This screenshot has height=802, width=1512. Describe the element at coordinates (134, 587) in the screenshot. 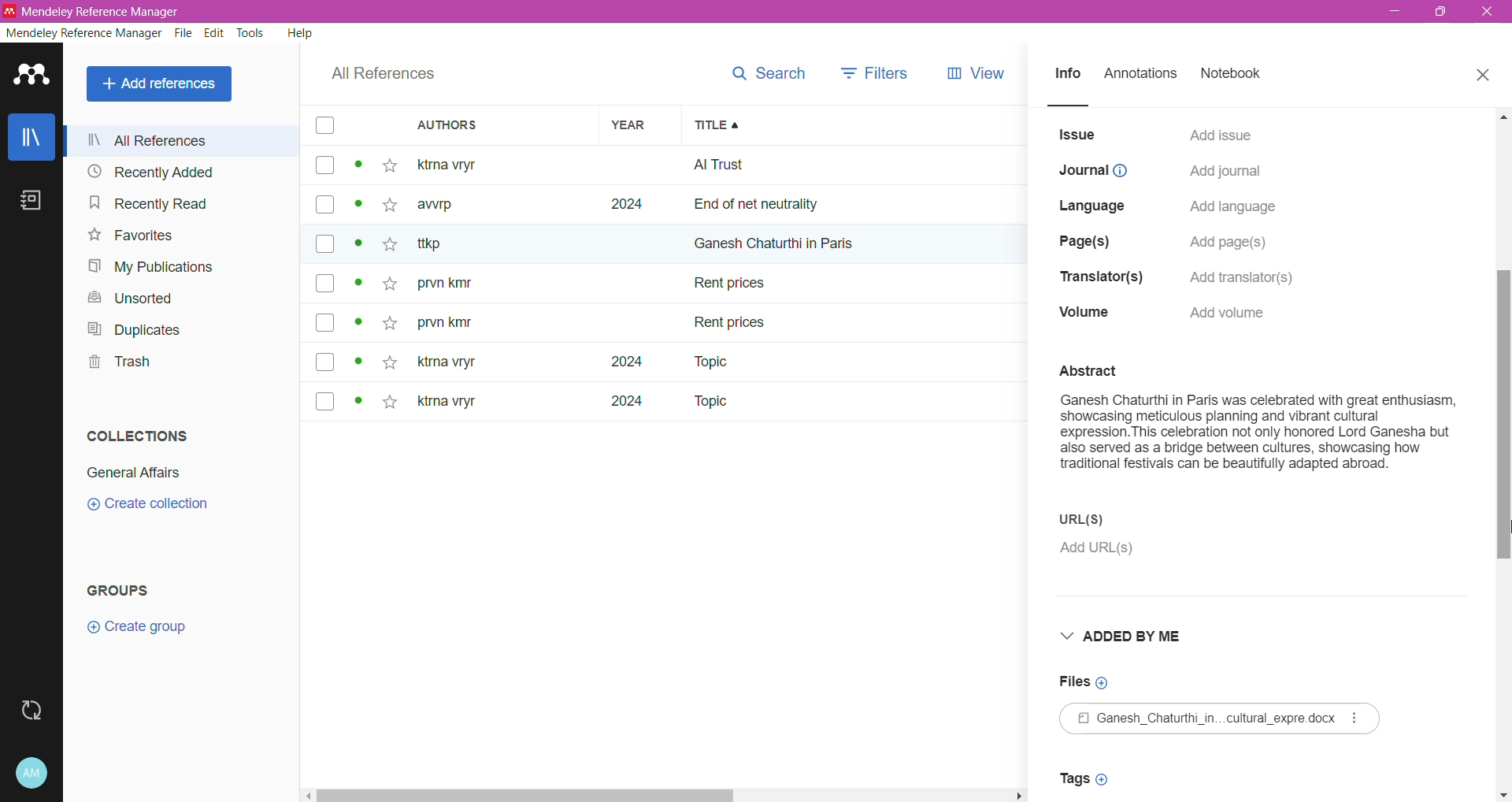

I see `Groups` at that location.